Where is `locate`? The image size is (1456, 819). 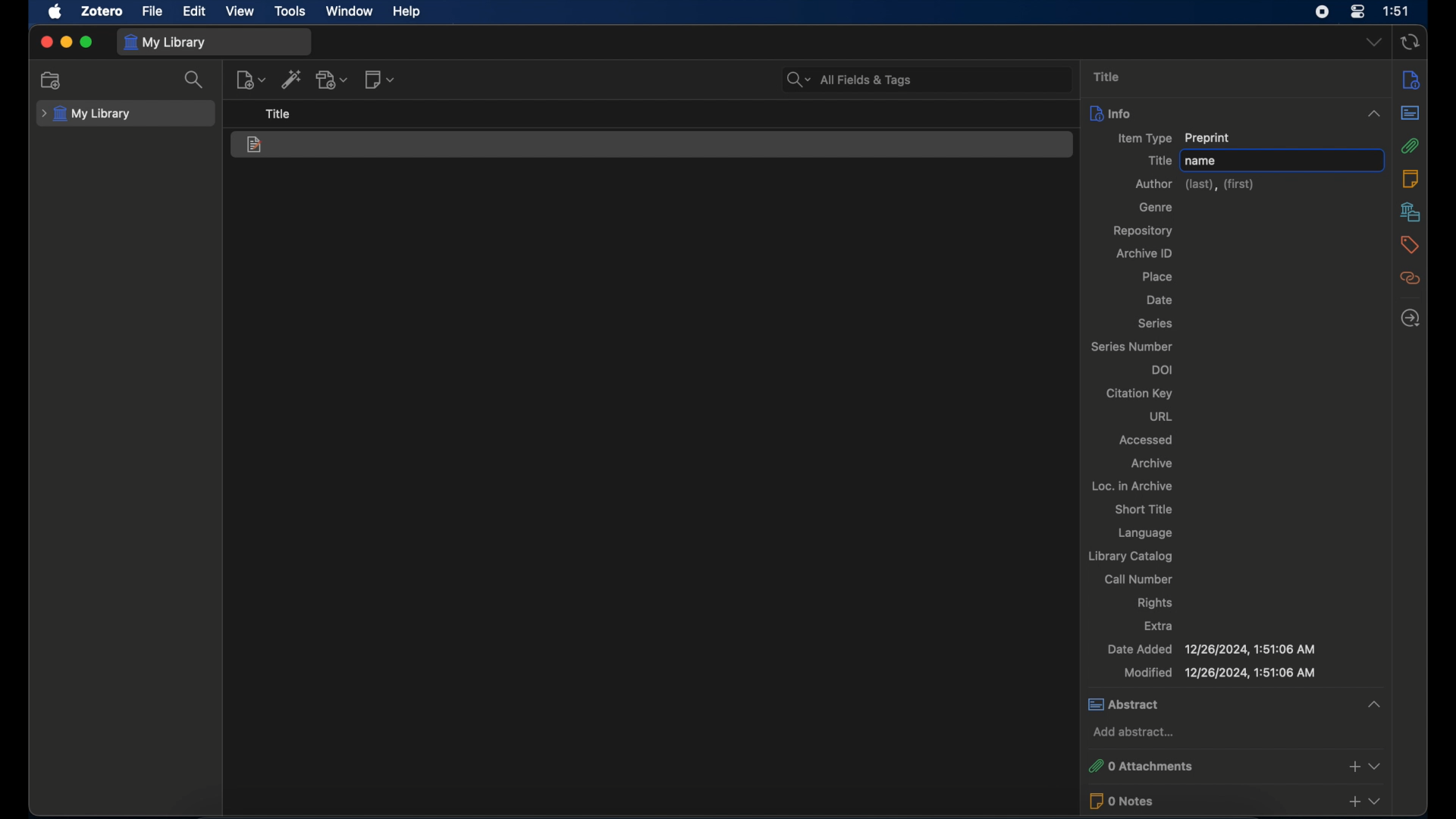
locate is located at coordinates (1410, 318).